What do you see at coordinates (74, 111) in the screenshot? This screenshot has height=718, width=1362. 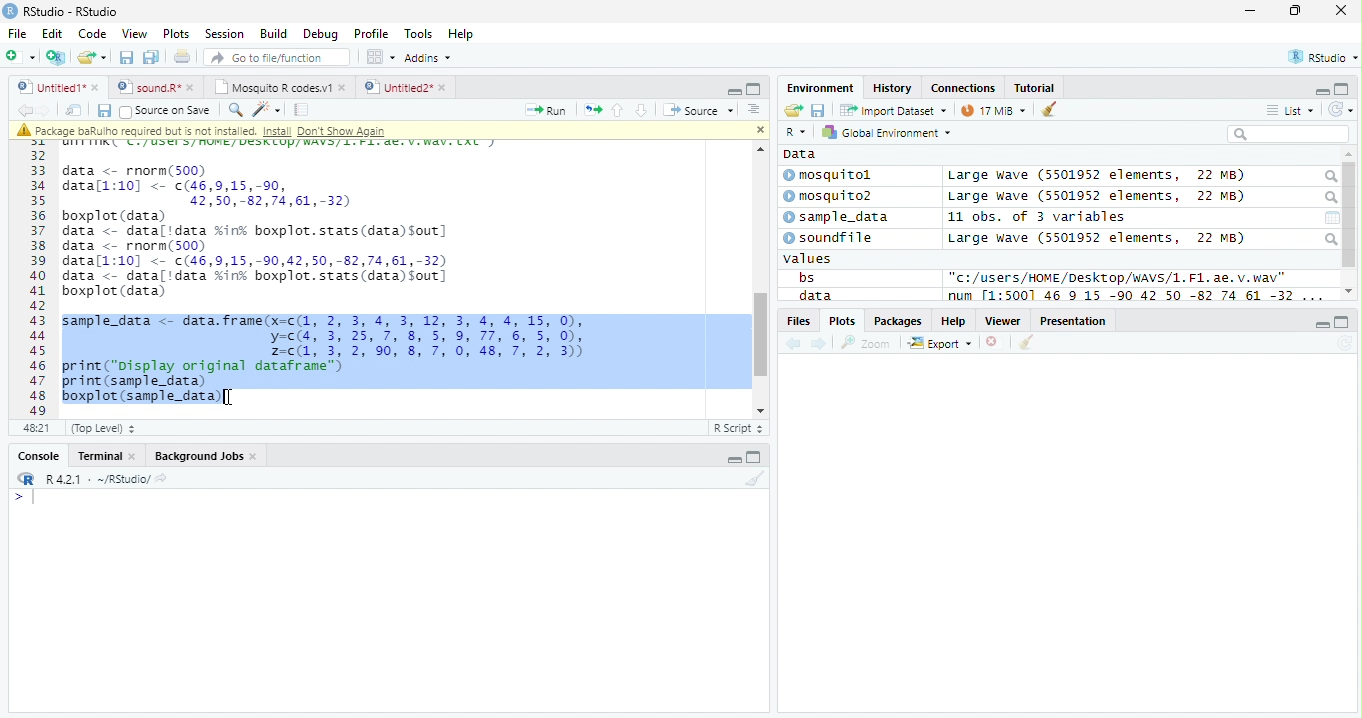 I see `Show in new window` at bounding box center [74, 111].